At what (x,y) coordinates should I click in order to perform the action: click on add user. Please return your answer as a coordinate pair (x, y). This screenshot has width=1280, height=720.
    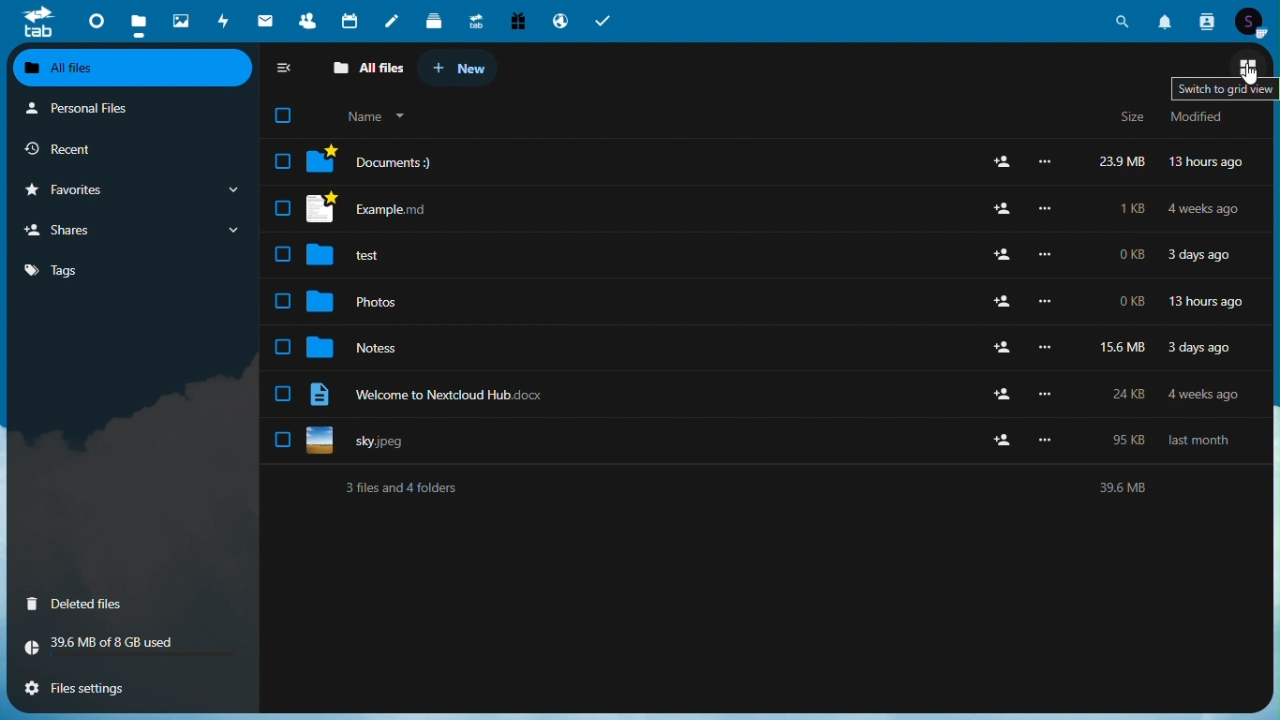
    Looking at the image, I should click on (1000, 395).